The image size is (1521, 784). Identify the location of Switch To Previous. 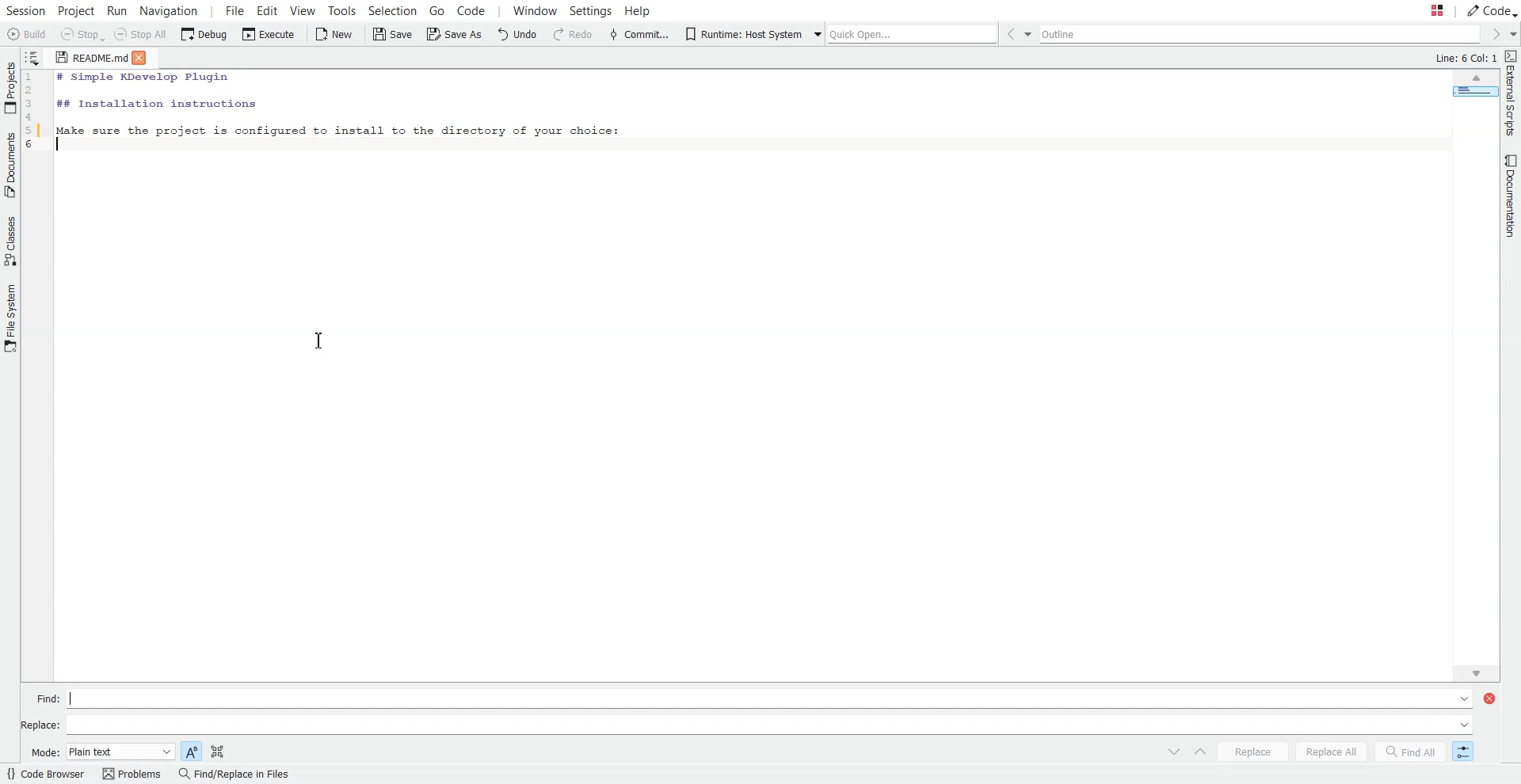
(1199, 753).